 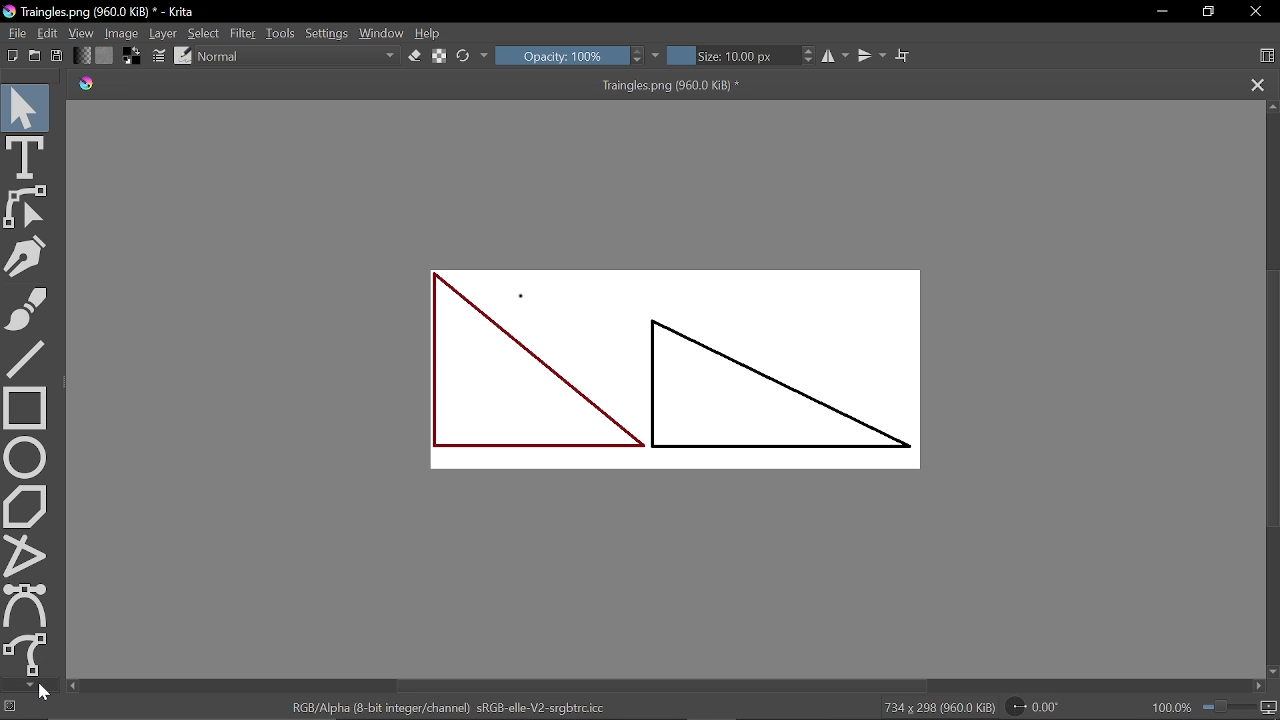 What do you see at coordinates (433, 33) in the screenshot?
I see `Help` at bounding box center [433, 33].